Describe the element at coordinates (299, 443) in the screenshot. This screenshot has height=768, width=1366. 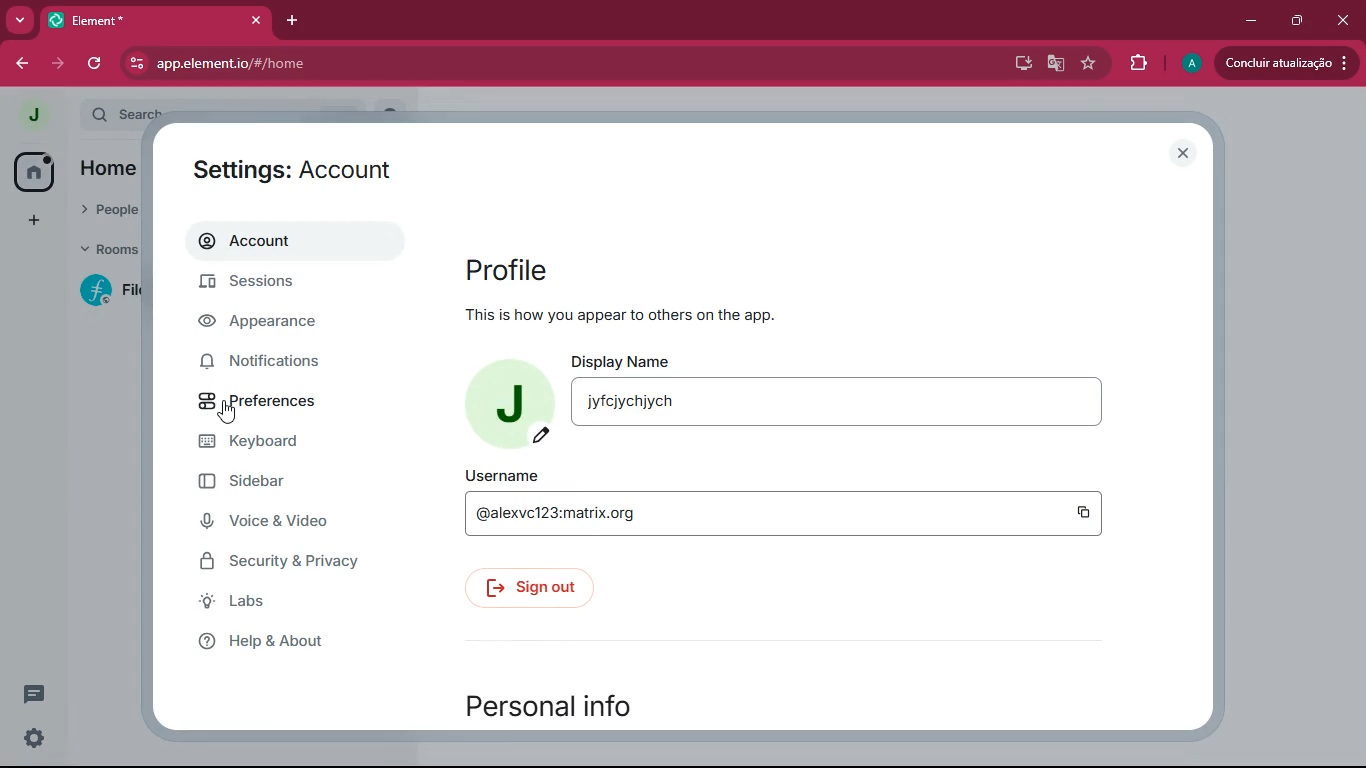
I see `keyboard` at that location.